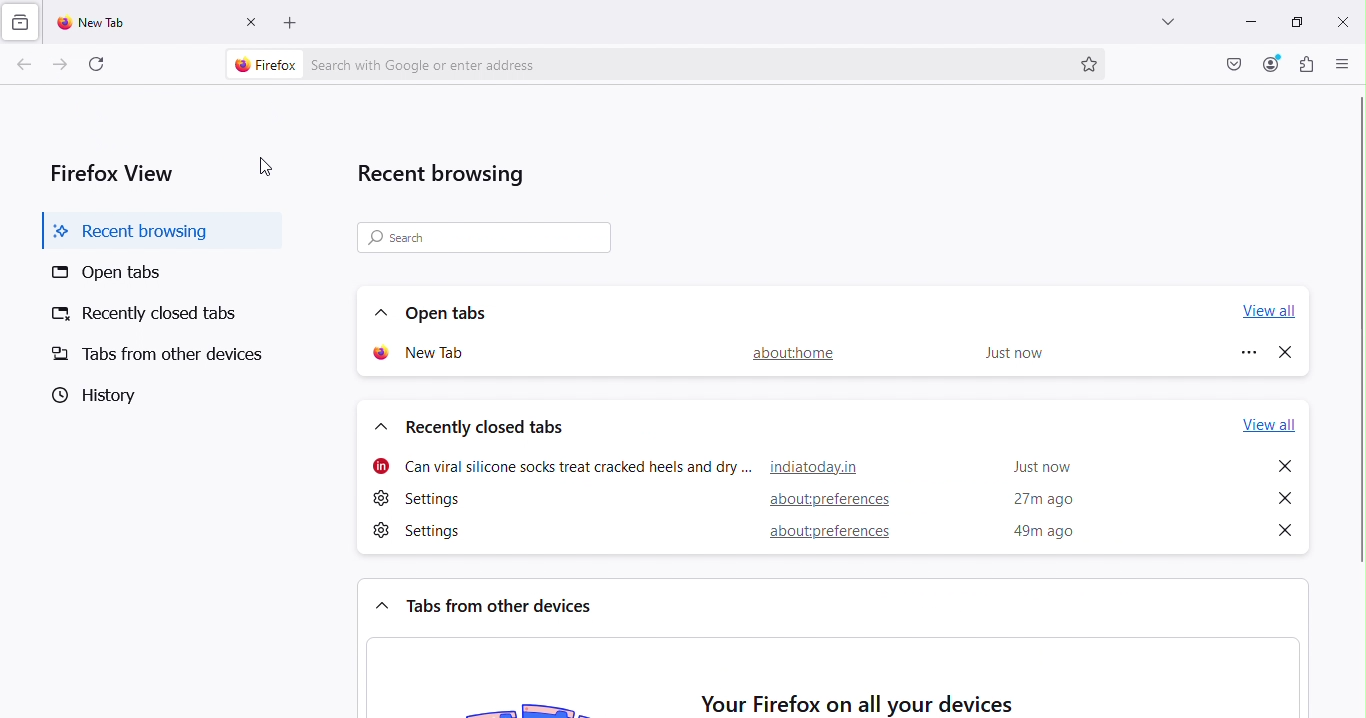 The image size is (1366, 718). I want to click on Close, so click(1286, 497).